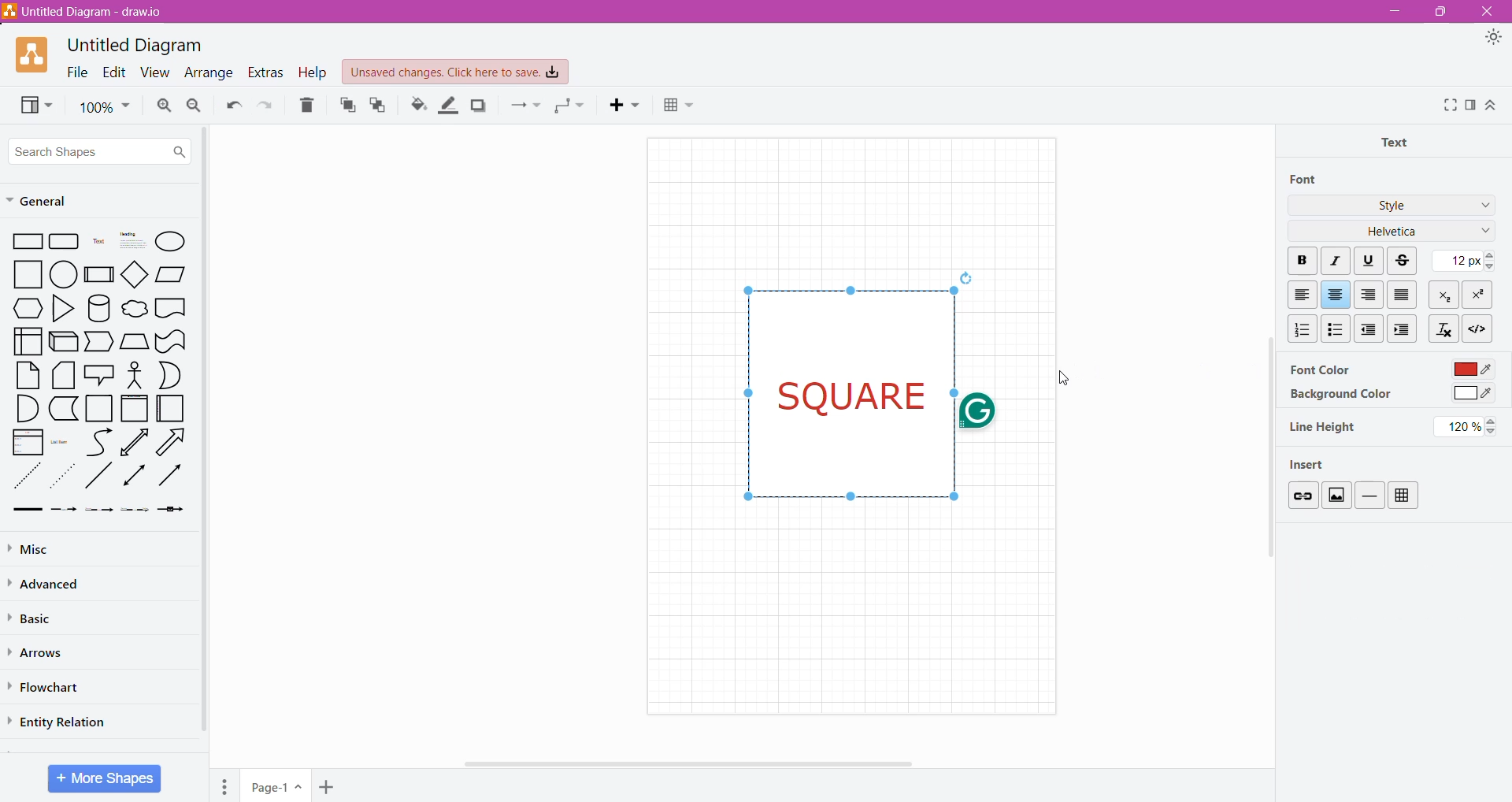 Image resolution: width=1512 pixels, height=802 pixels. What do you see at coordinates (134, 442) in the screenshot?
I see `Upward line` at bounding box center [134, 442].